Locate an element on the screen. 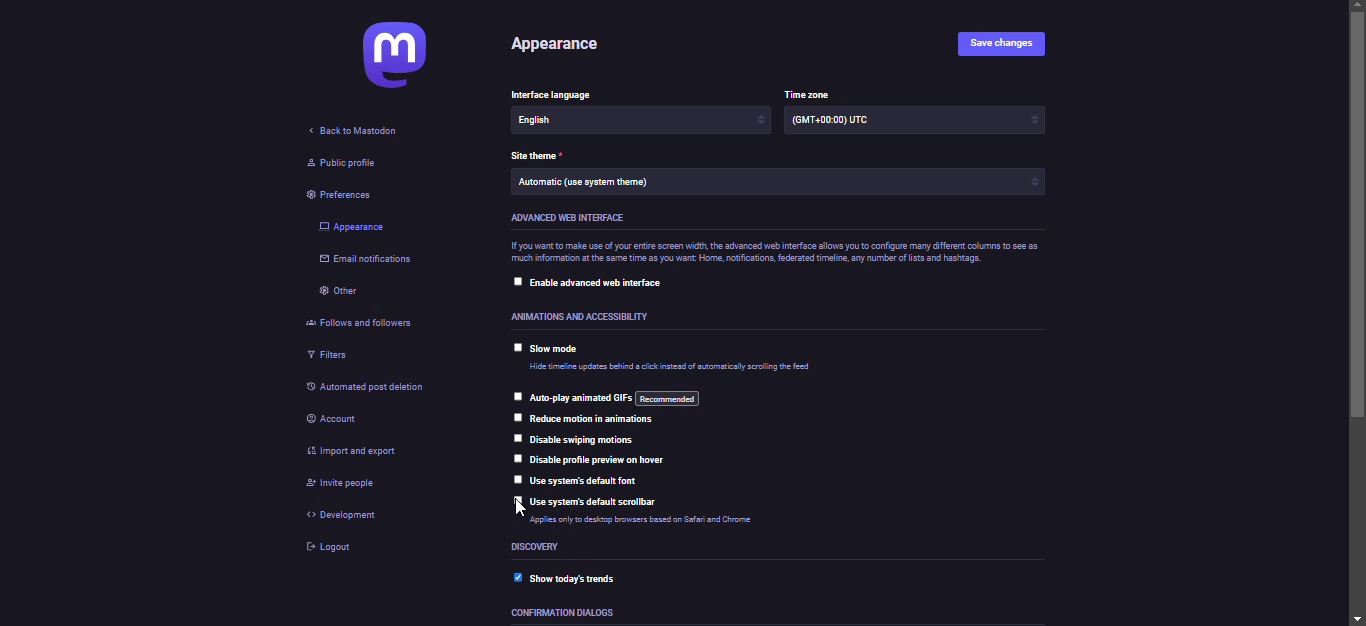 This screenshot has height=626, width=1366. slow mode is located at coordinates (559, 348).